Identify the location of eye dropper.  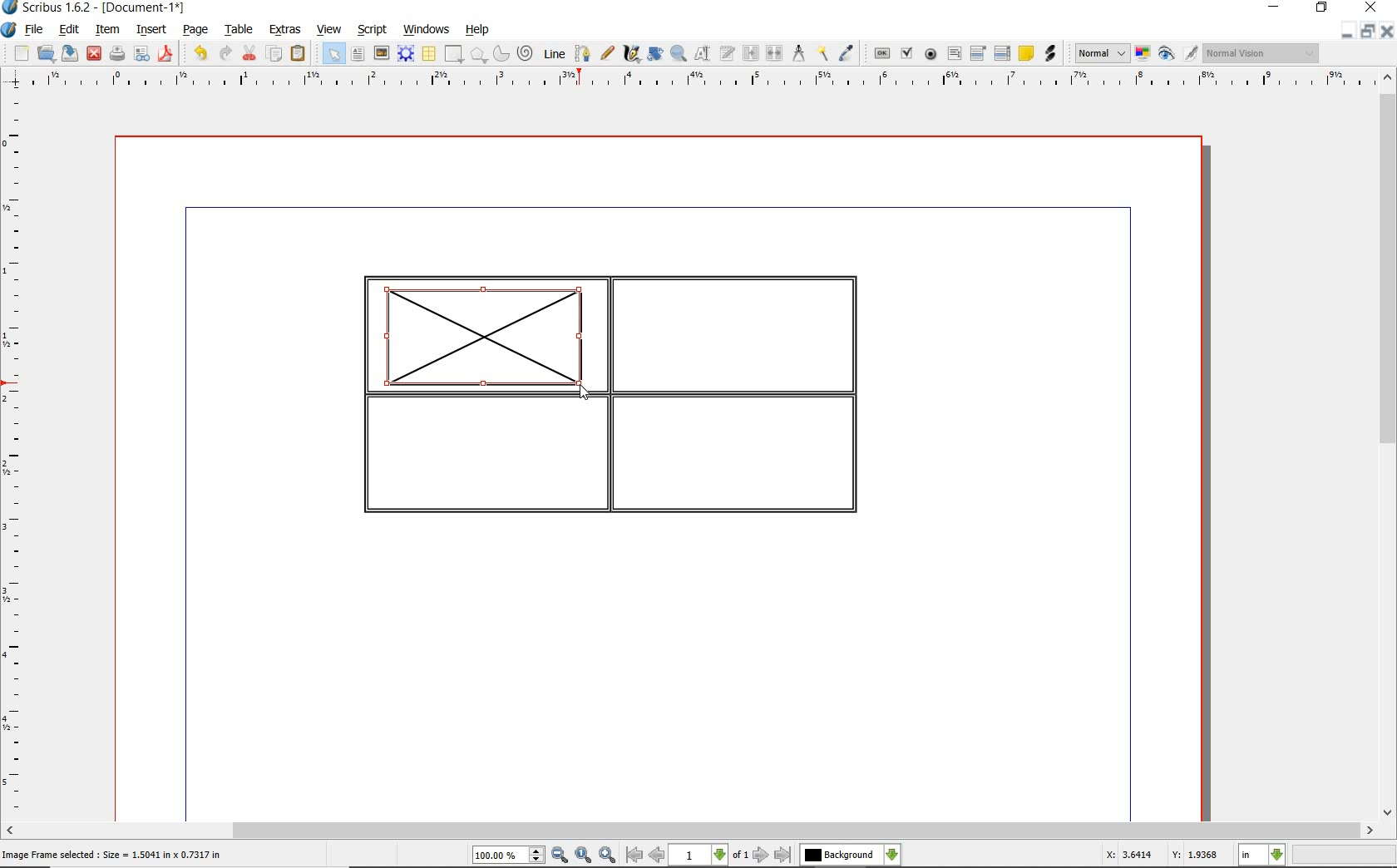
(847, 53).